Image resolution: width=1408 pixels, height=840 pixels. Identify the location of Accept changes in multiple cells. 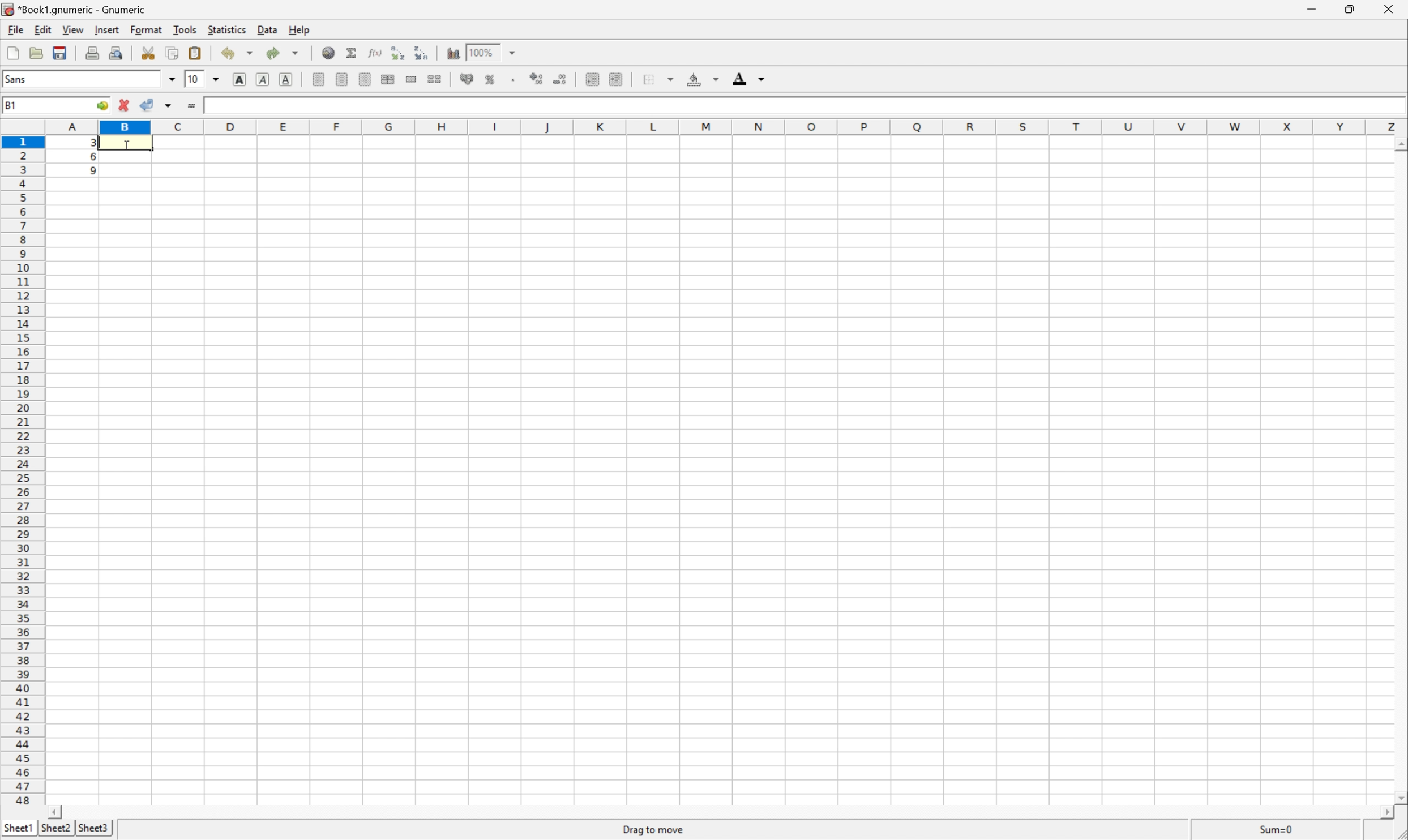
(170, 106).